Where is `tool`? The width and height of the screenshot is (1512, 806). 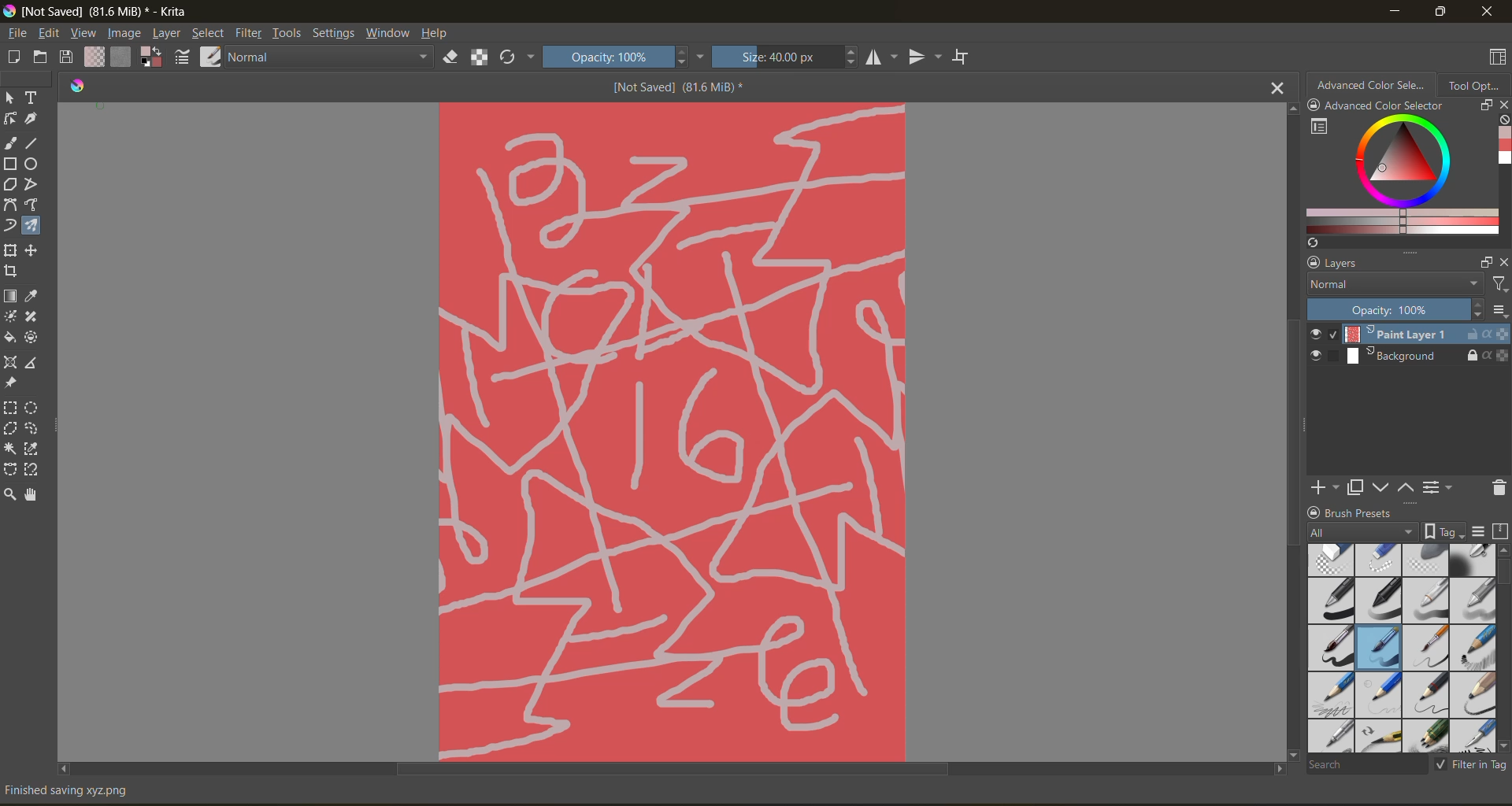 tool is located at coordinates (31, 429).